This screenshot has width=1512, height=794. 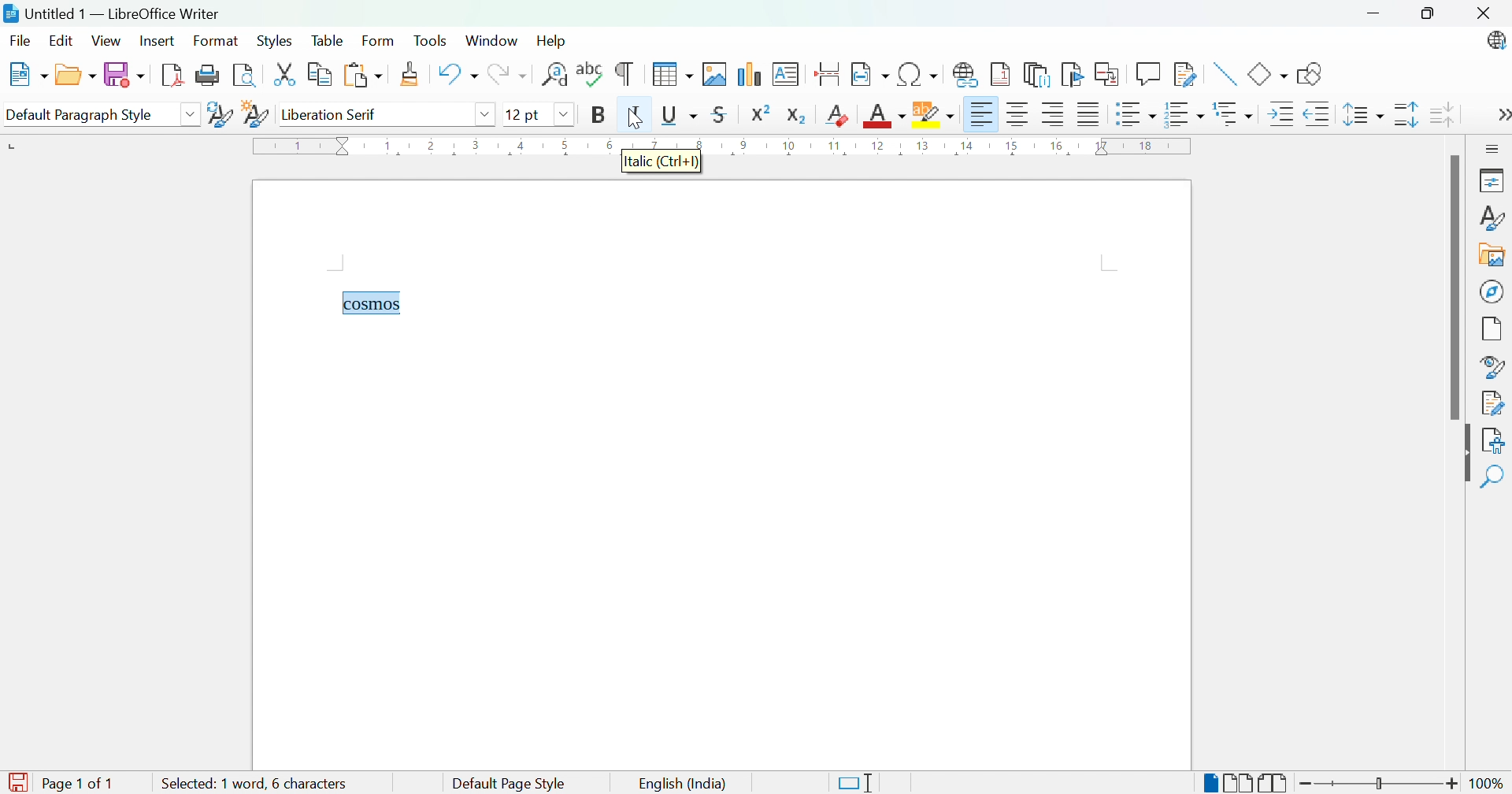 What do you see at coordinates (1362, 114) in the screenshot?
I see `Set line spacing` at bounding box center [1362, 114].